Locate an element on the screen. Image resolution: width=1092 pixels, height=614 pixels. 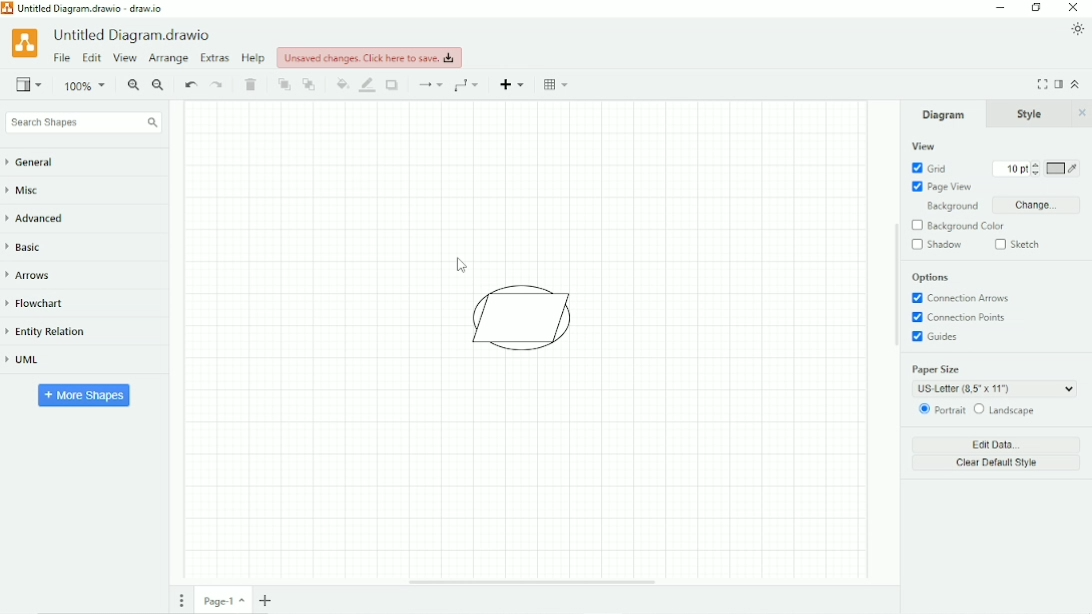
Flowchart is located at coordinates (43, 304).